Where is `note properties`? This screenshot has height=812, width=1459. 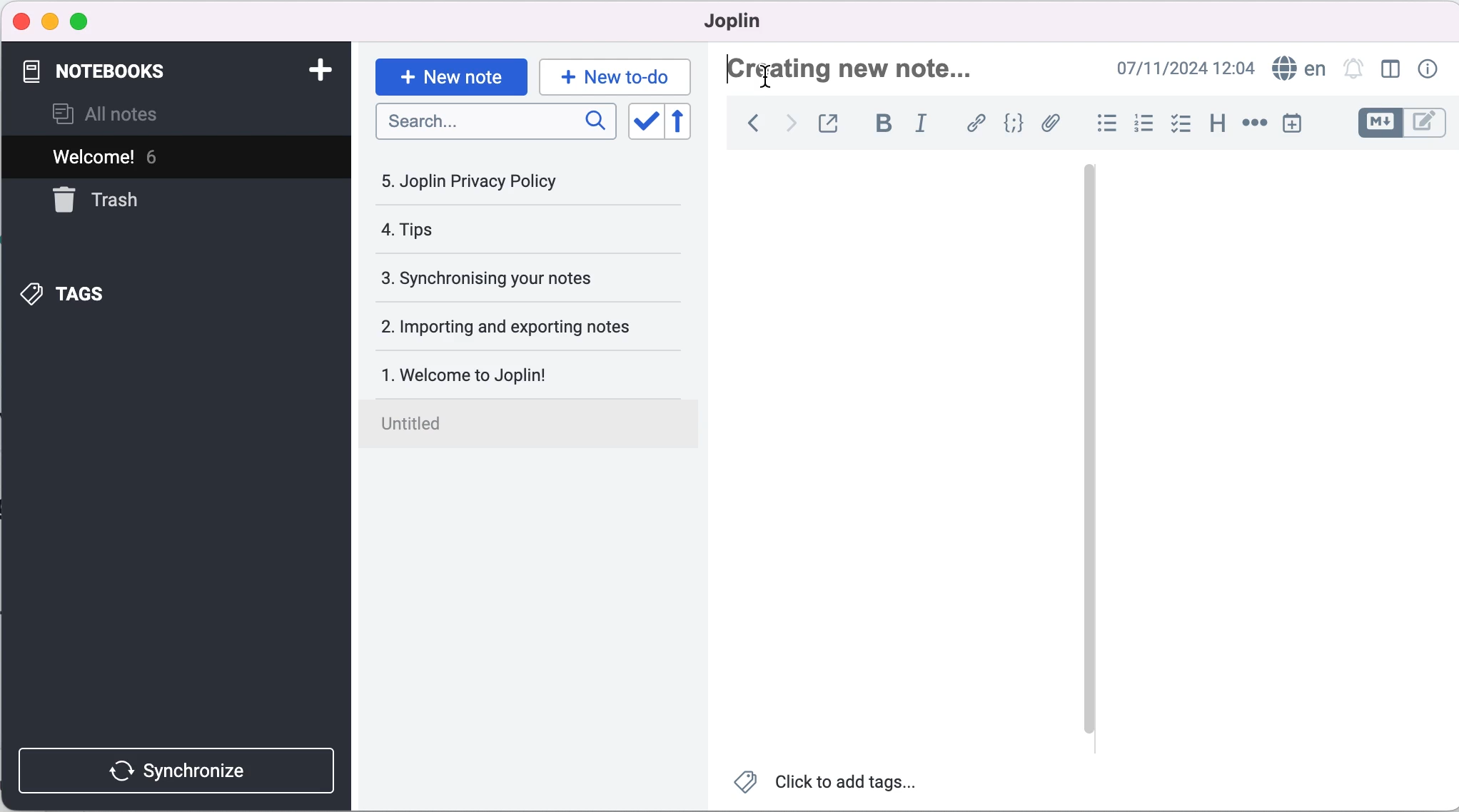
note properties is located at coordinates (1432, 68).